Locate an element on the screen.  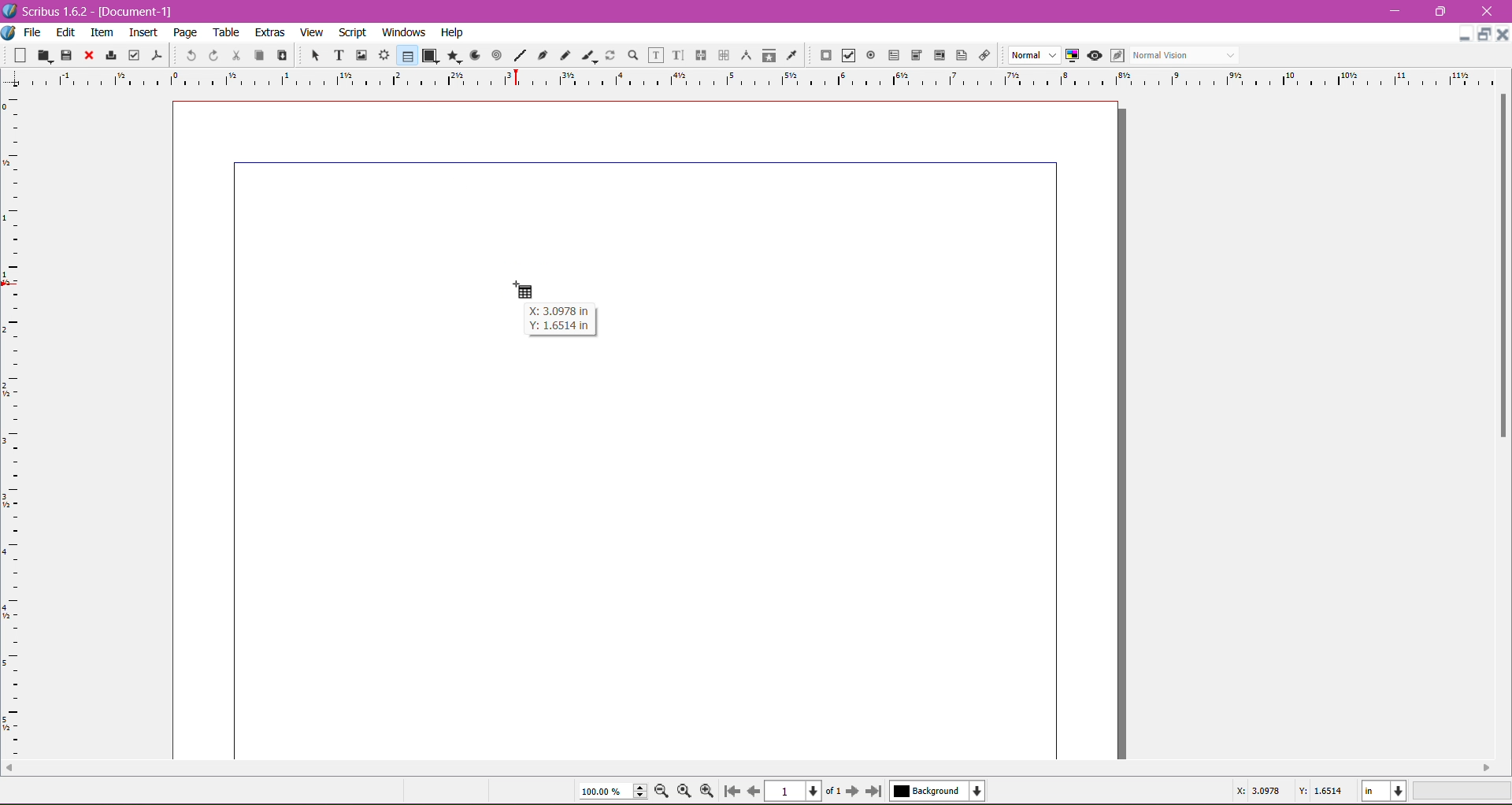
Edit Text in Frames is located at coordinates (656, 55).